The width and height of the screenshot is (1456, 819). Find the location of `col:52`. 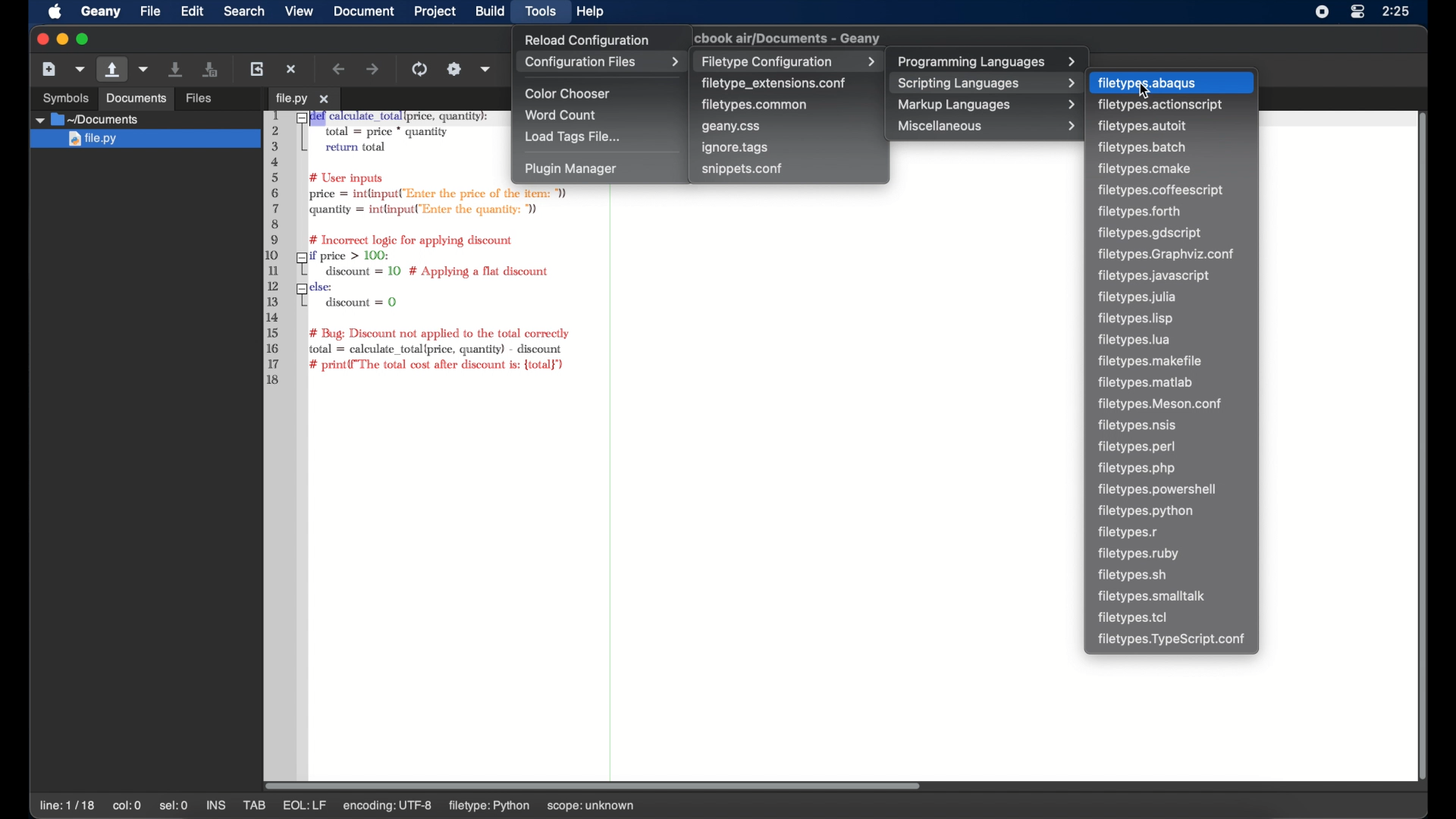

col:52 is located at coordinates (129, 807).